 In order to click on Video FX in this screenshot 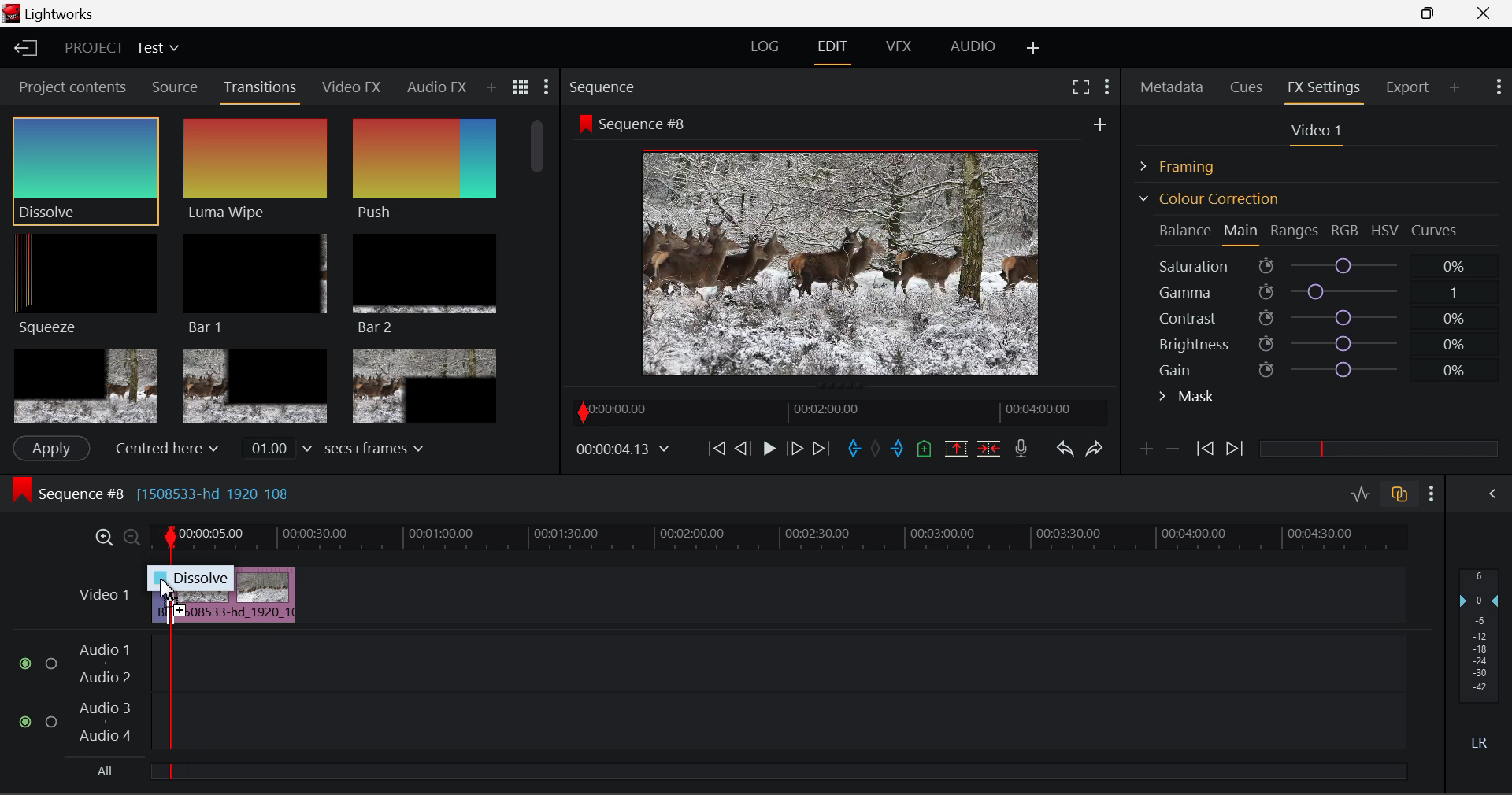, I will do `click(346, 87)`.